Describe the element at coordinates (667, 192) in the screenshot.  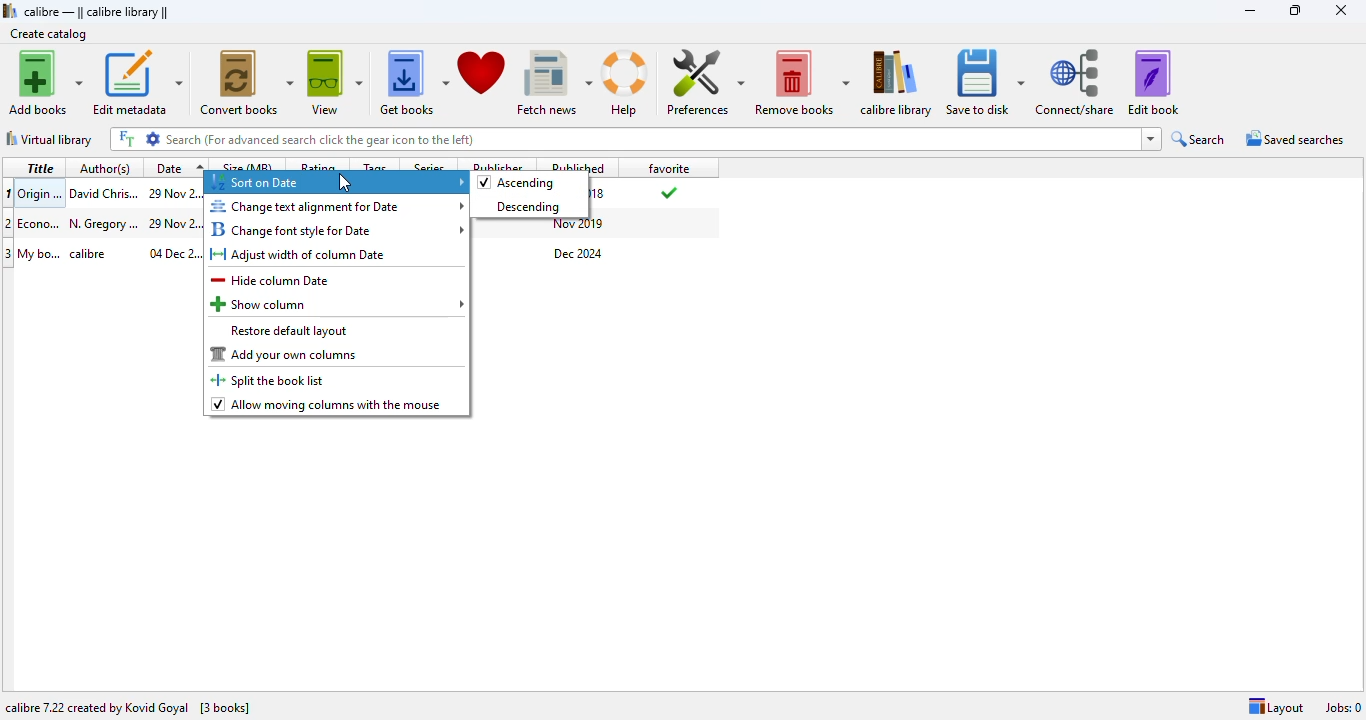
I see `added to favorites` at that location.